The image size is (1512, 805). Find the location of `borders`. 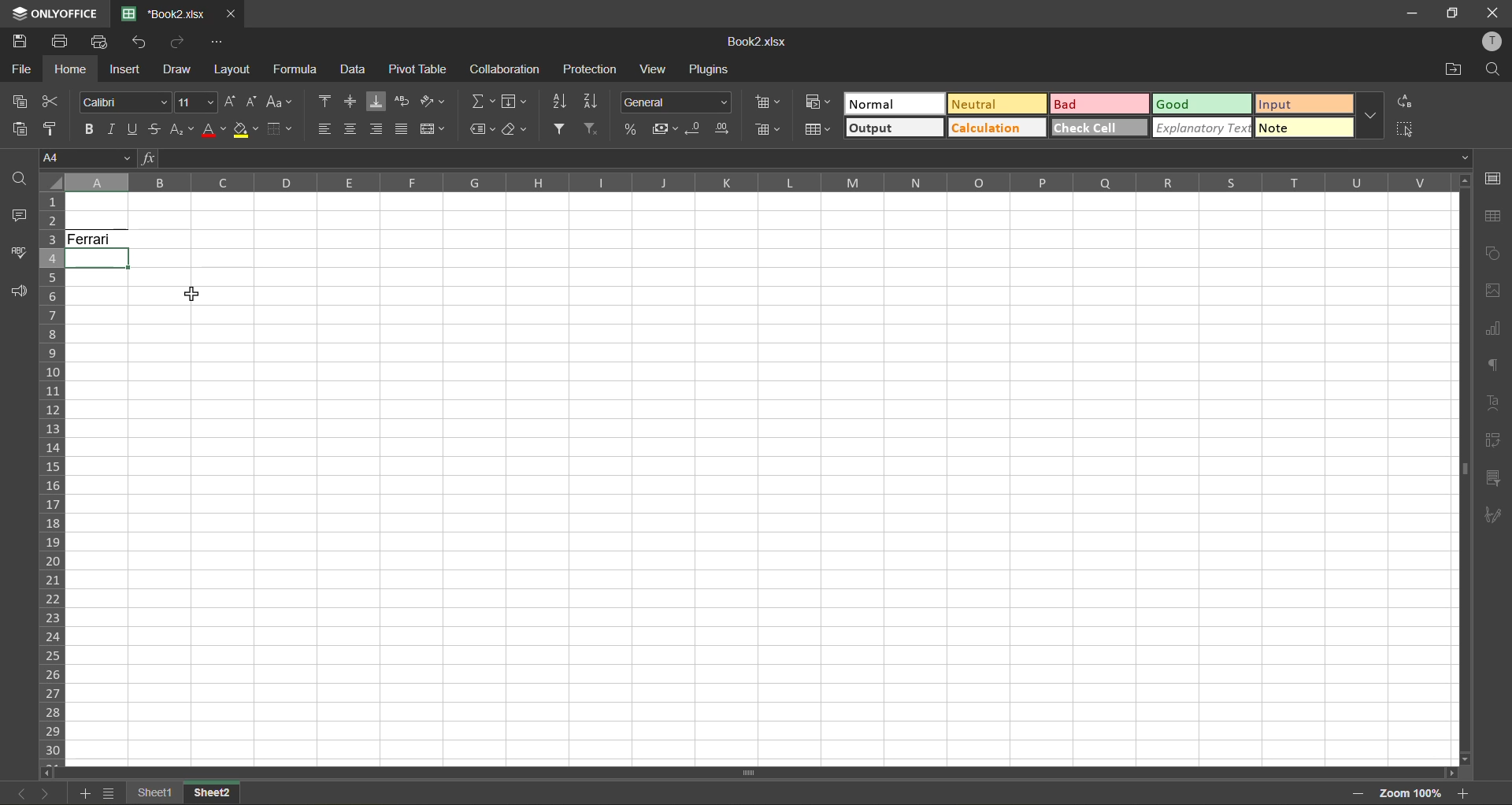

borders is located at coordinates (281, 128).